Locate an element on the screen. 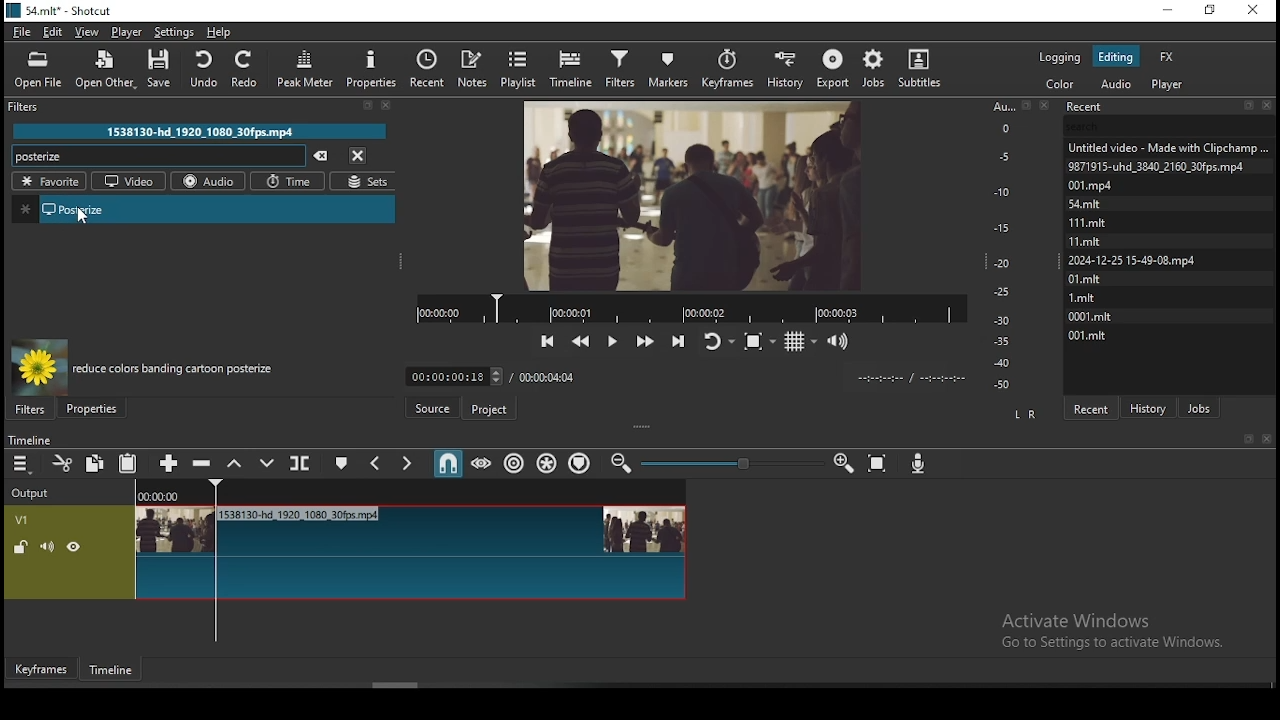 The height and width of the screenshot is (720, 1280). player is located at coordinates (125, 33).